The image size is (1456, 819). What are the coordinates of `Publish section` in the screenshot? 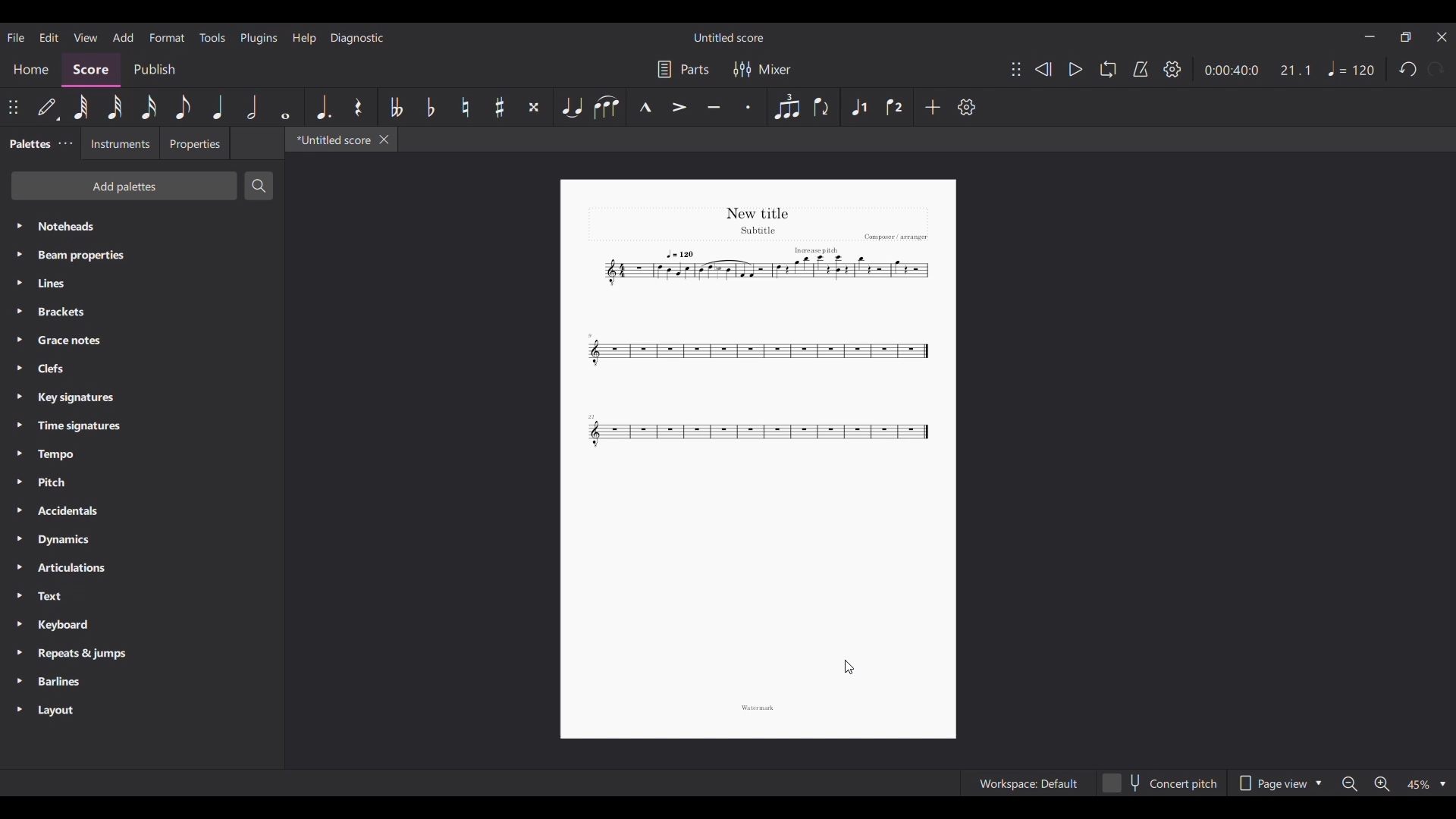 It's located at (154, 71).